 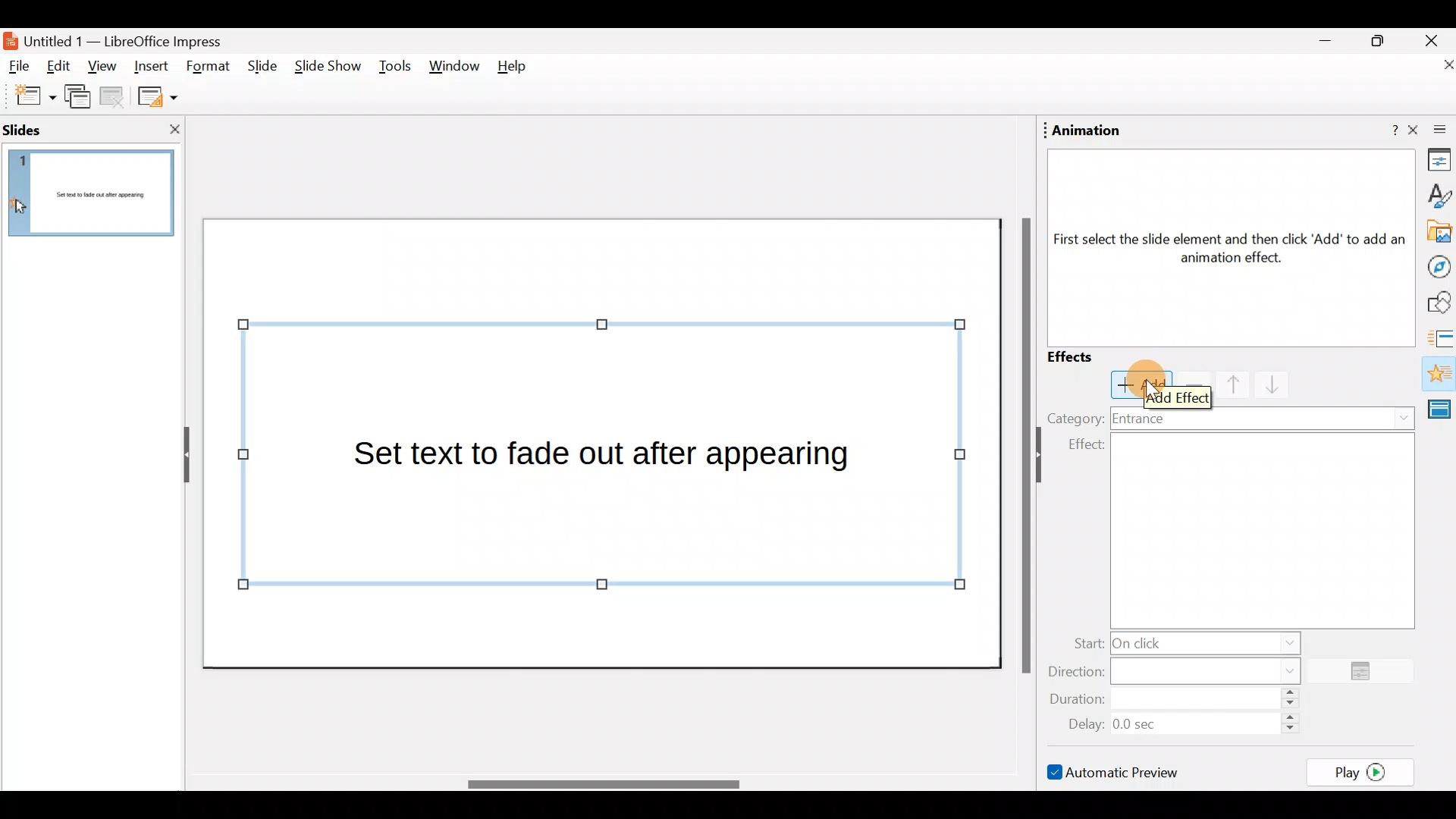 What do you see at coordinates (28, 96) in the screenshot?
I see `New slide` at bounding box center [28, 96].